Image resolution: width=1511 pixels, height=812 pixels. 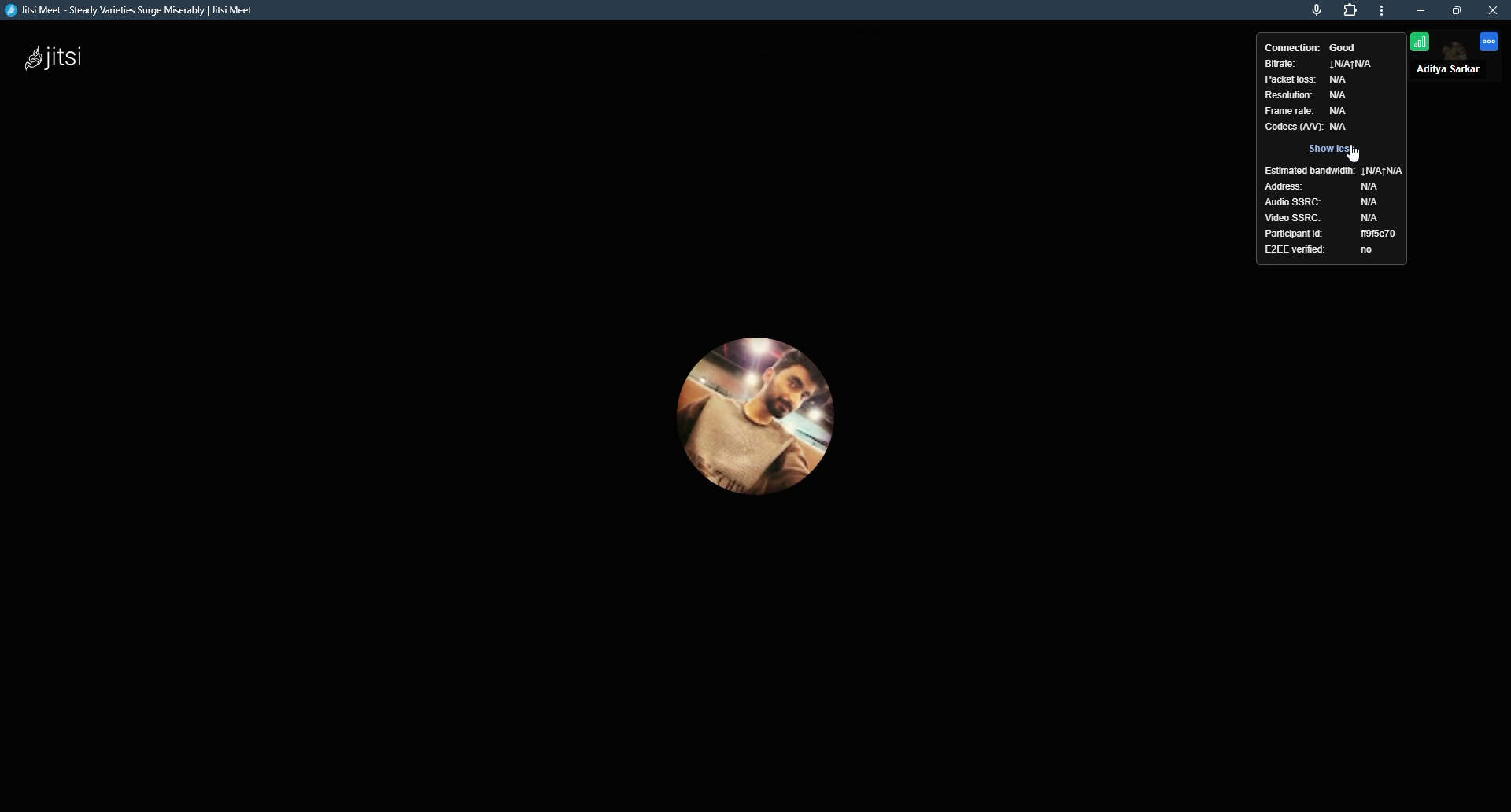 I want to click on codecs, so click(x=1291, y=127).